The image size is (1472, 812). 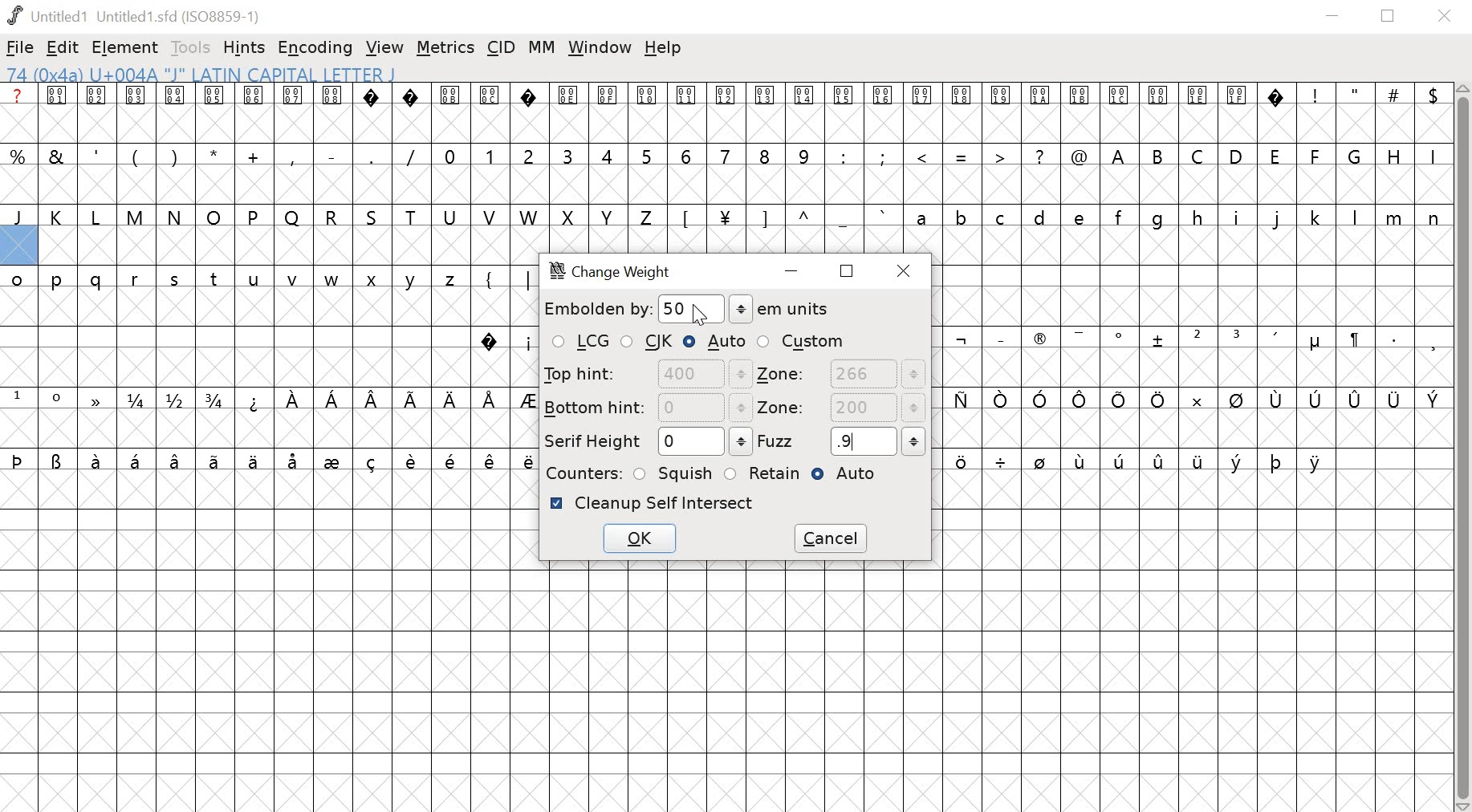 What do you see at coordinates (645, 374) in the screenshot?
I see `TOP HINT` at bounding box center [645, 374].